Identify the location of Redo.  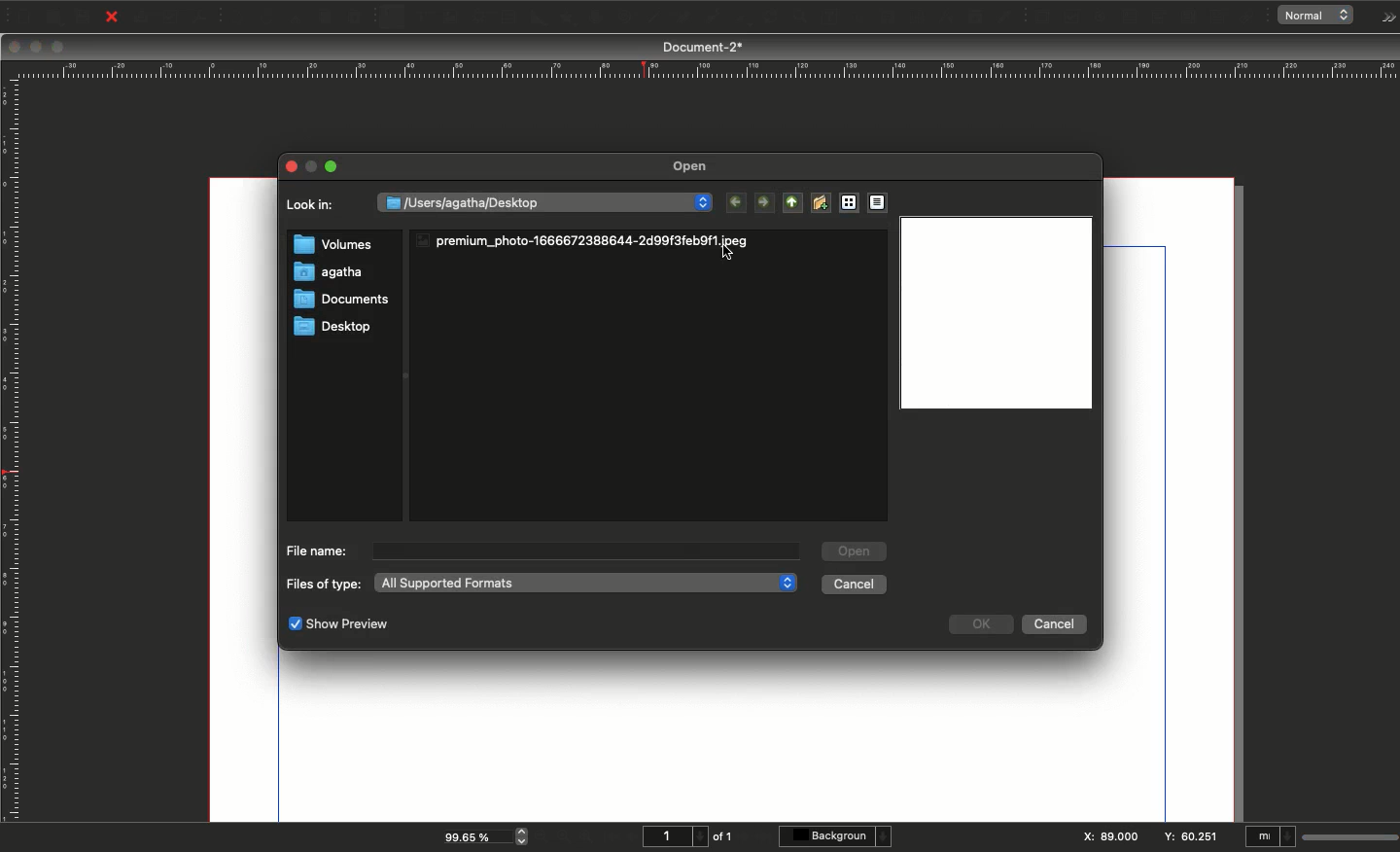
(267, 18).